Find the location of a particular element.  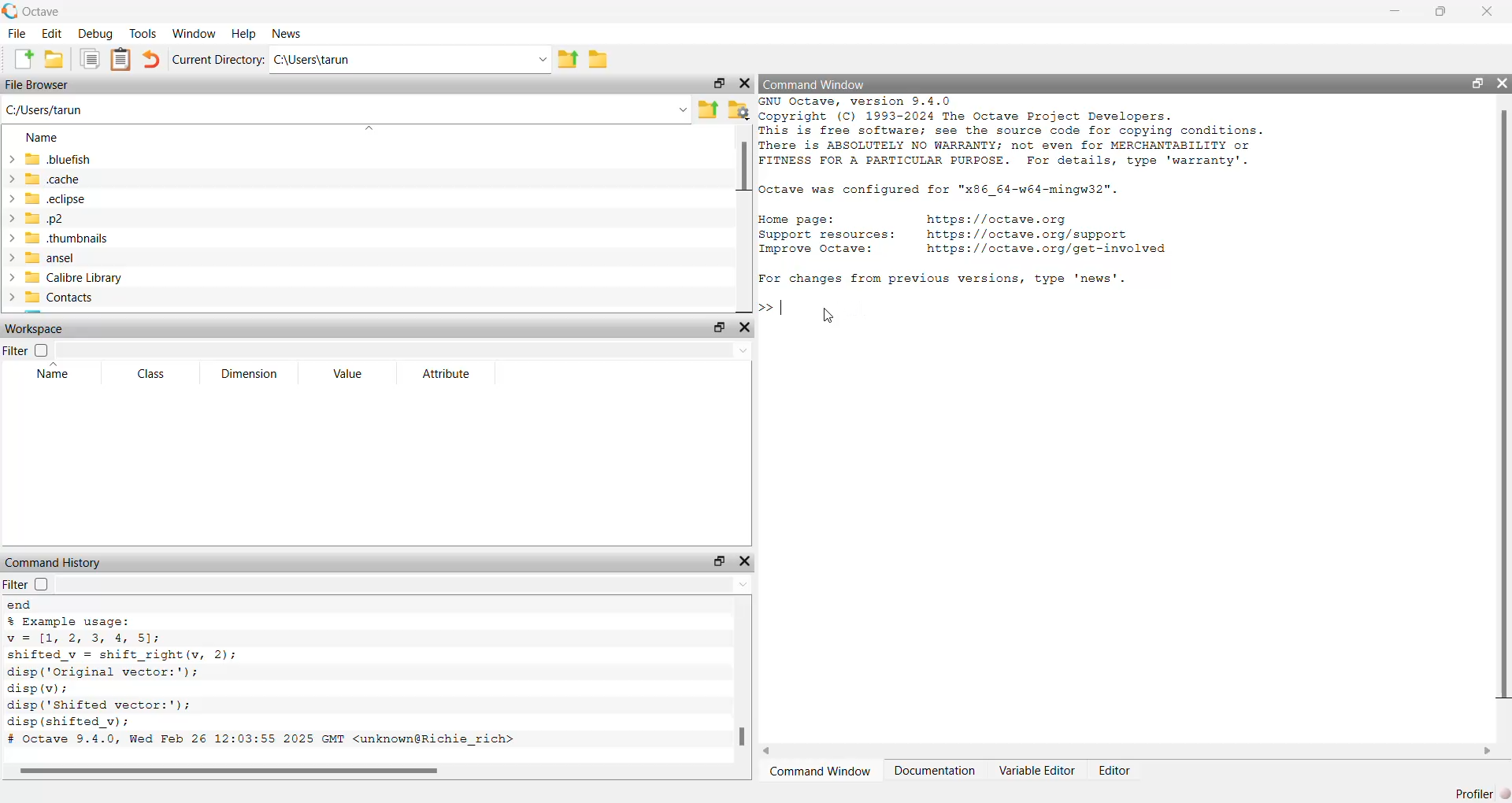

value is located at coordinates (345, 373).